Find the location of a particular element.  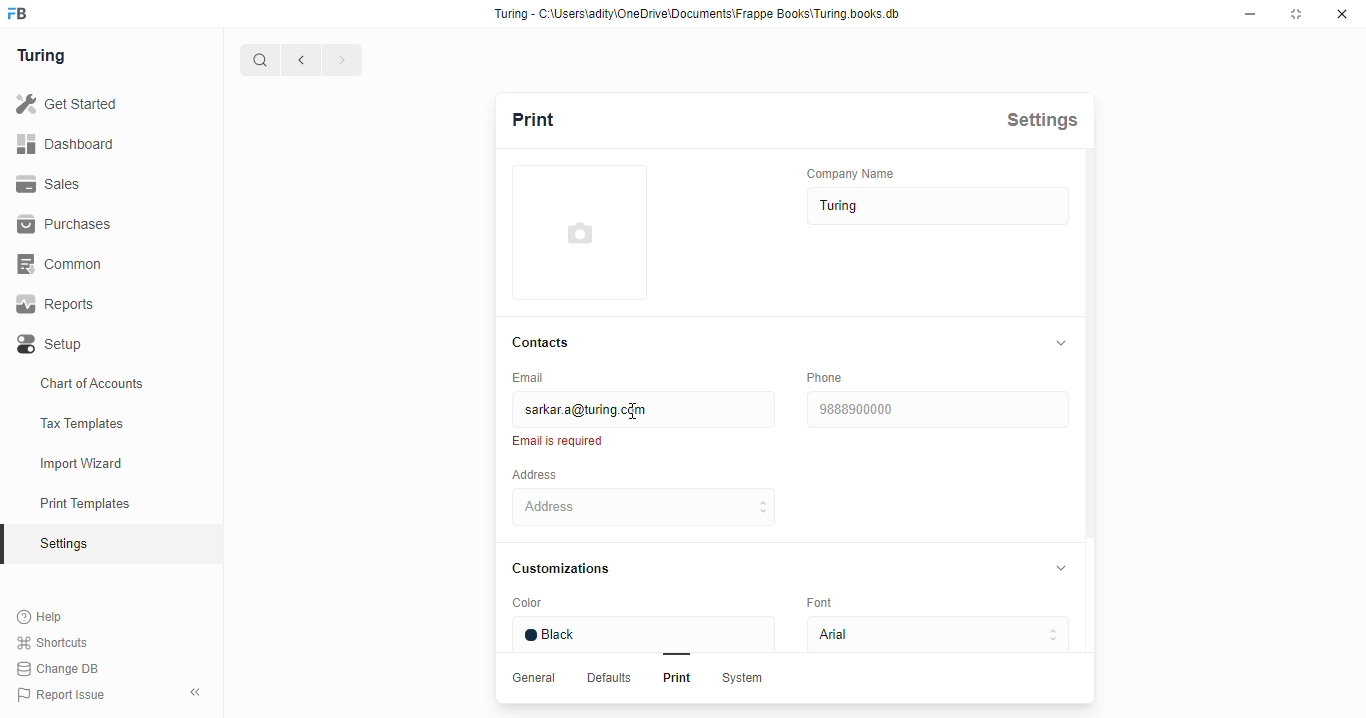

Change DB is located at coordinates (57, 669).